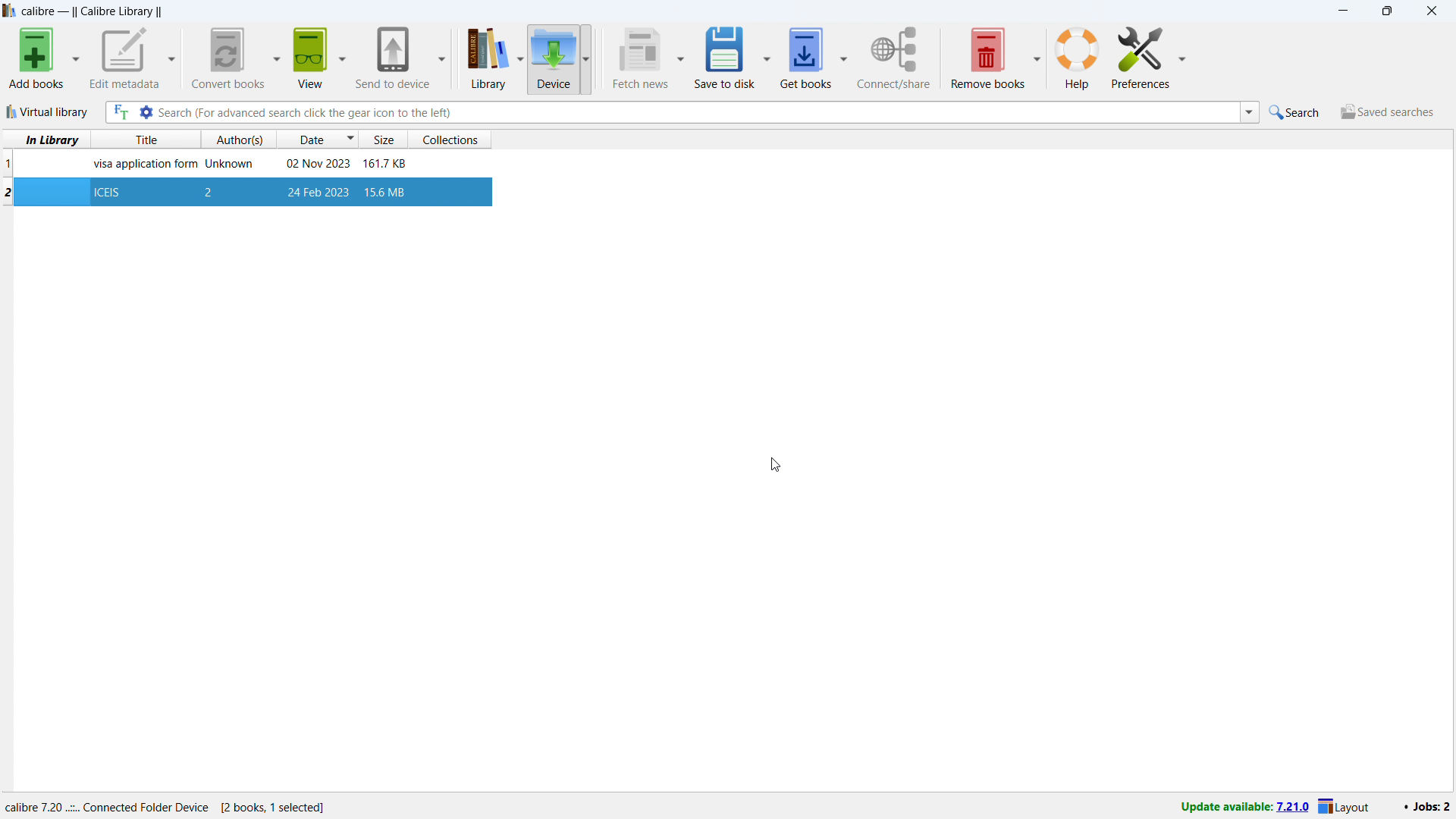  I want to click on device, so click(553, 58).